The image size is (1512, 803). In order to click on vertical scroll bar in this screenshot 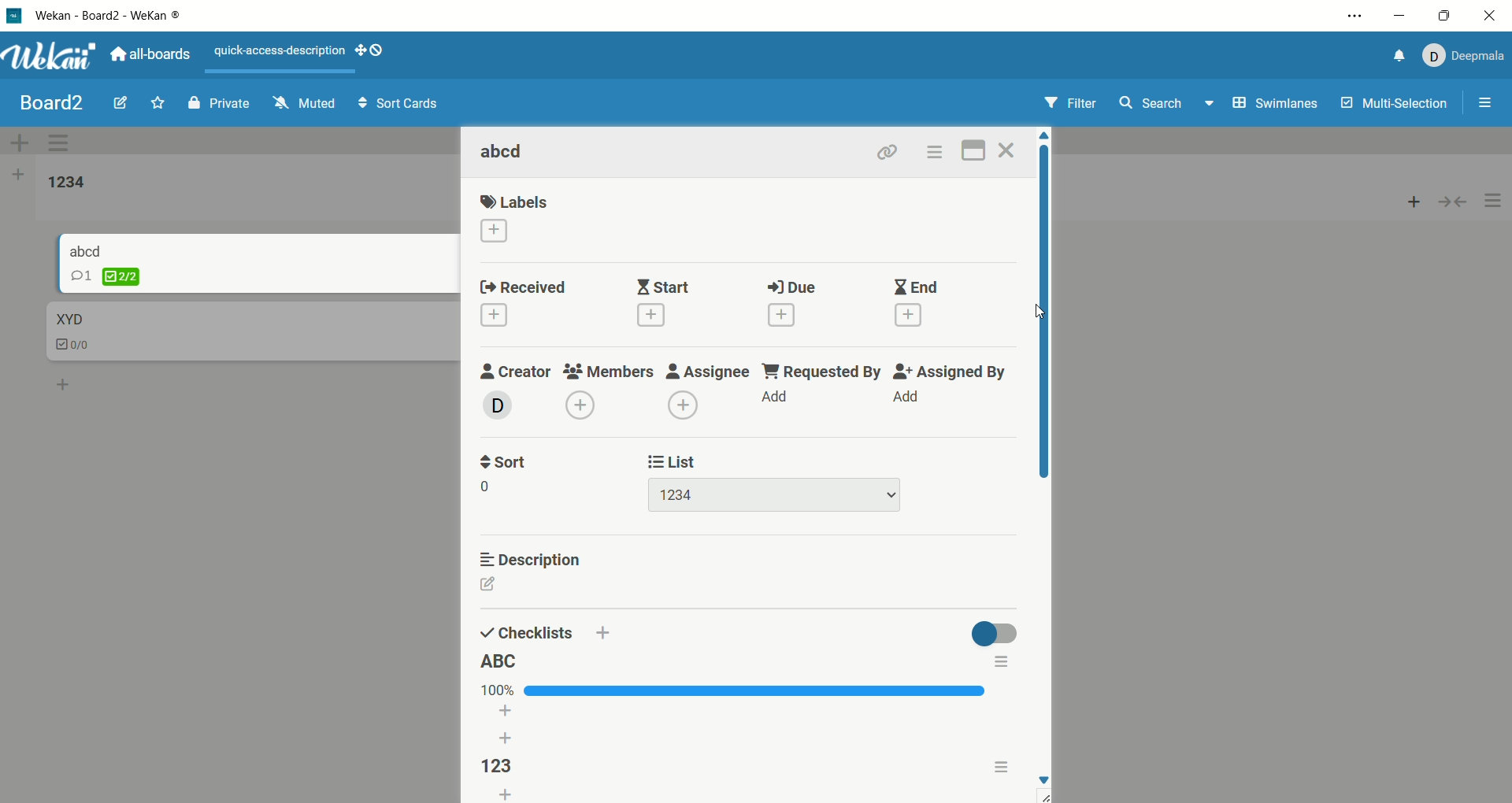, I will do `click(1046, 314)`.